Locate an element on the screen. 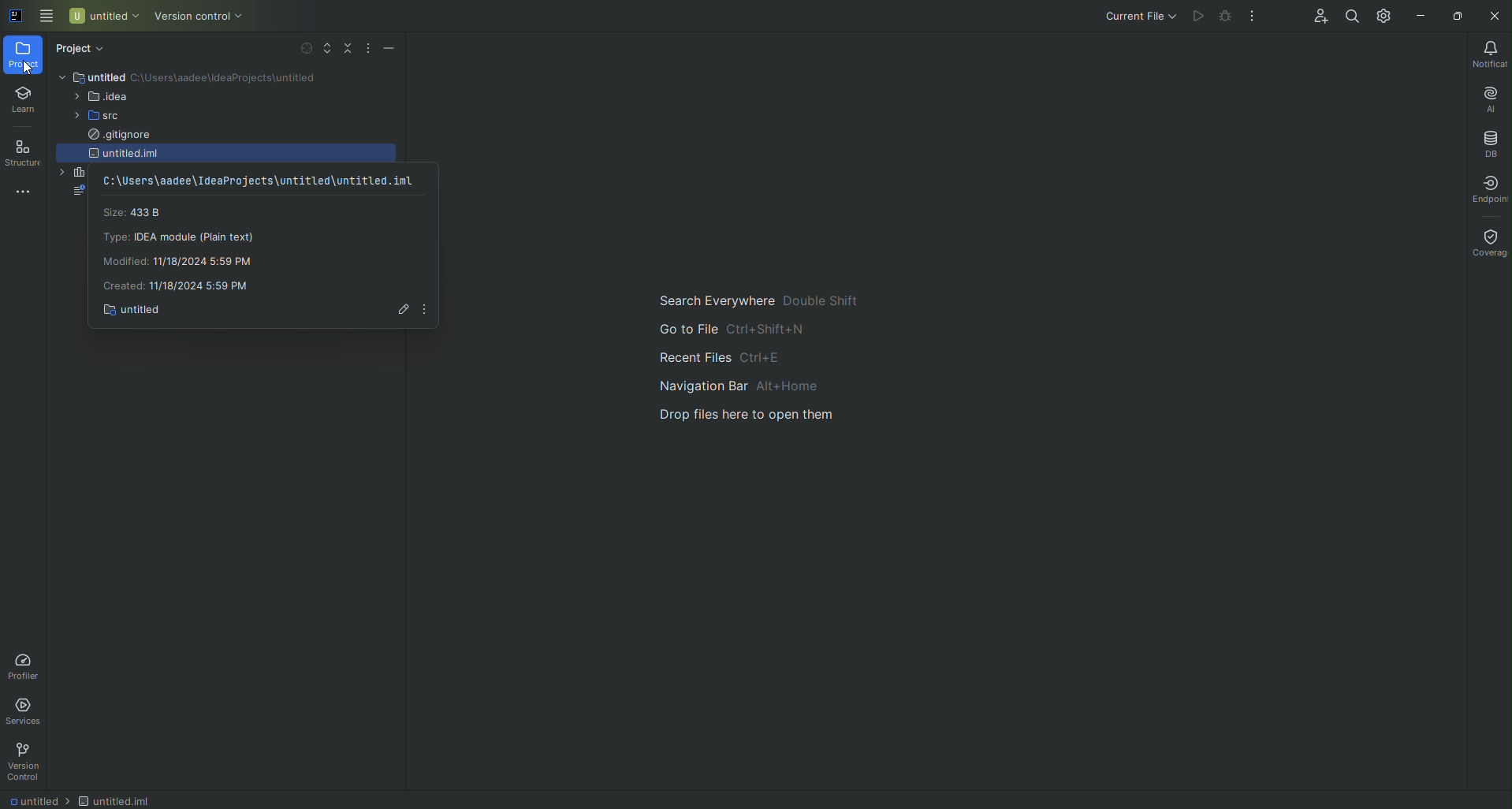  Application logo is located at coordinates (12, 17).